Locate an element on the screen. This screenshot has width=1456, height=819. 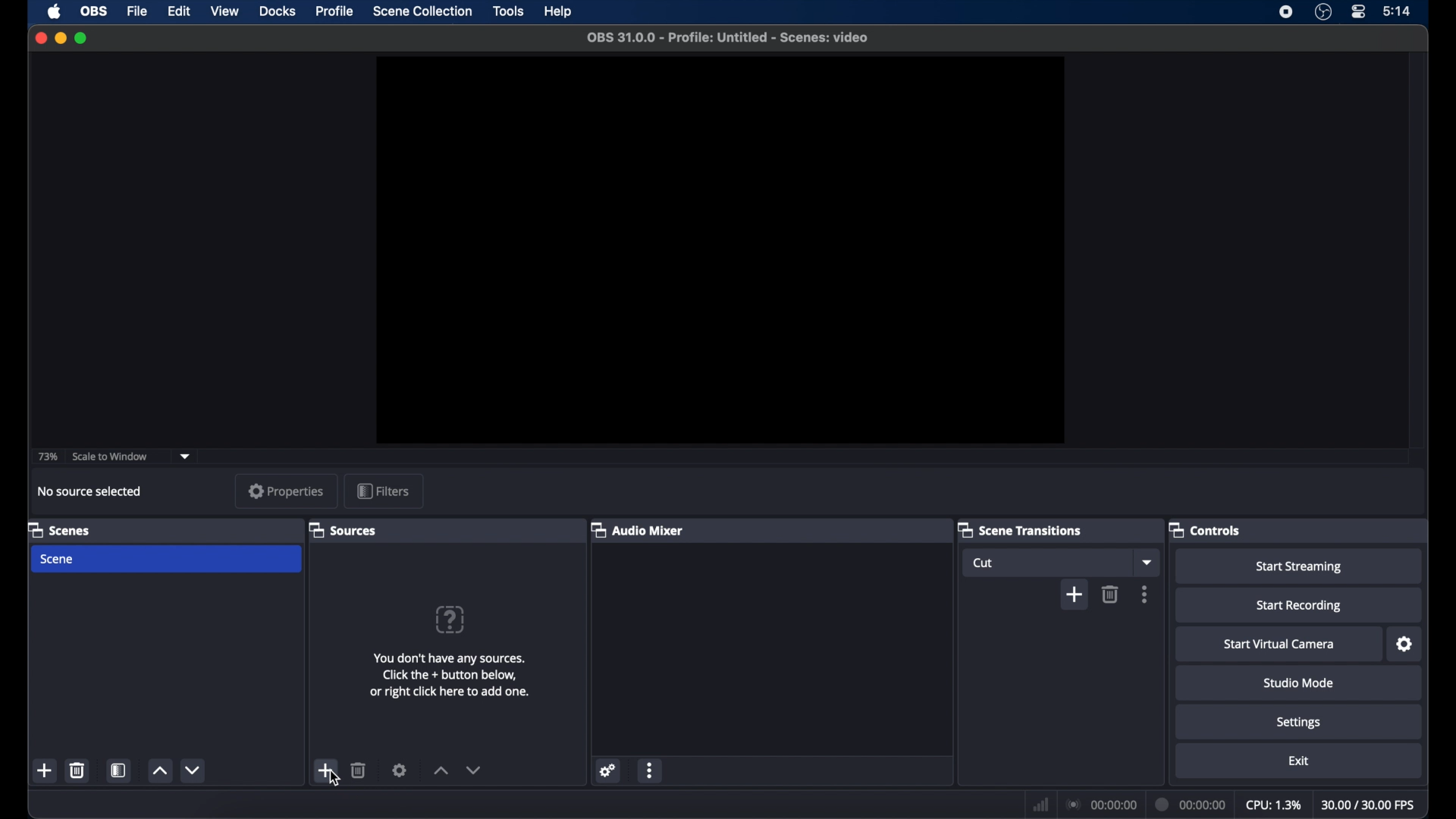
increment is located at coordinates (440, 771).